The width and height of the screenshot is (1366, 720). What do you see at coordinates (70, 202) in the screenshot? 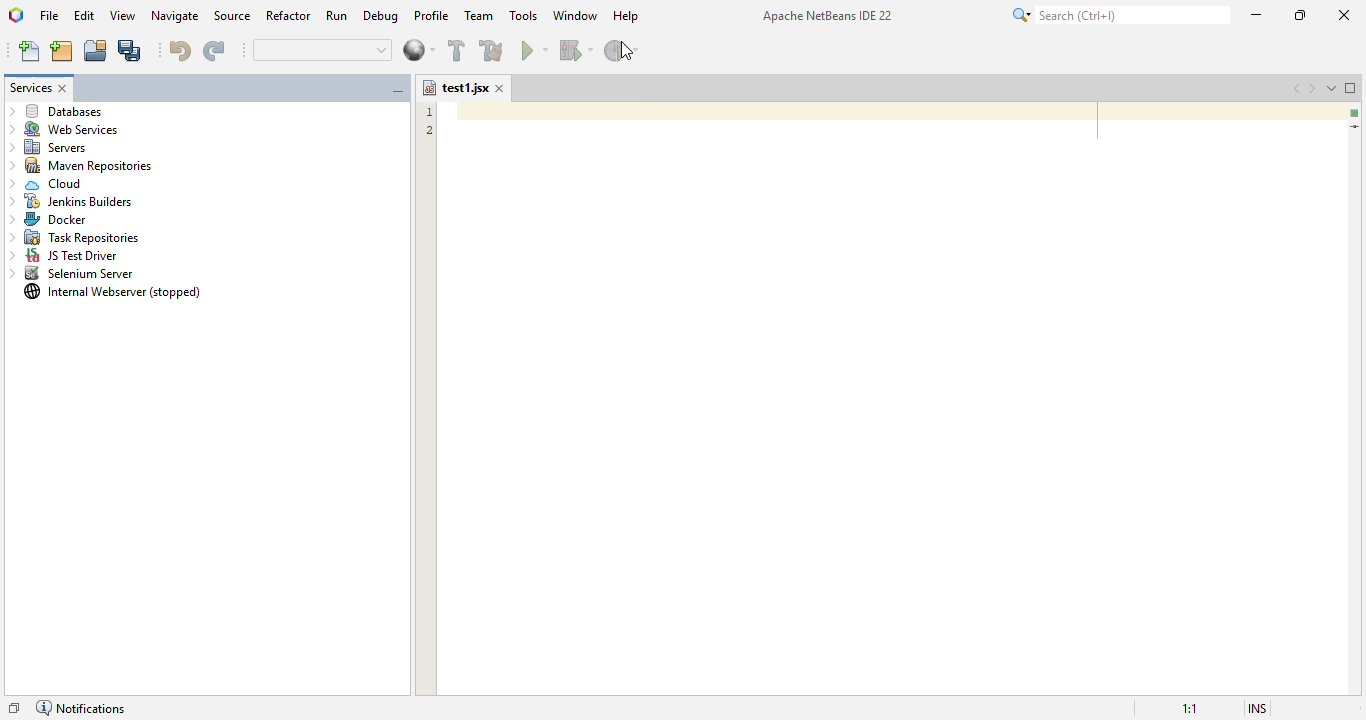
I see `jenkins builders` at bounding box center [70, 202].